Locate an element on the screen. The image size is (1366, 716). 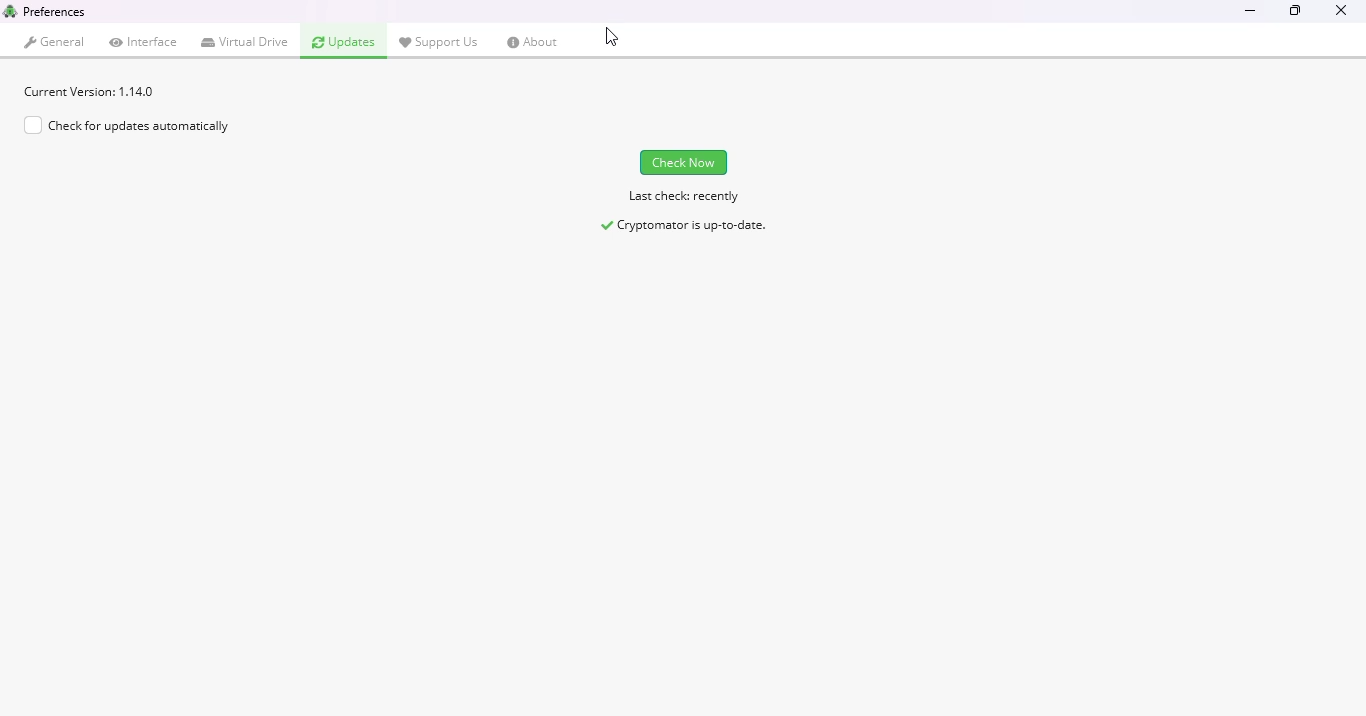
virtual drive is located at coordinates (246, 42).